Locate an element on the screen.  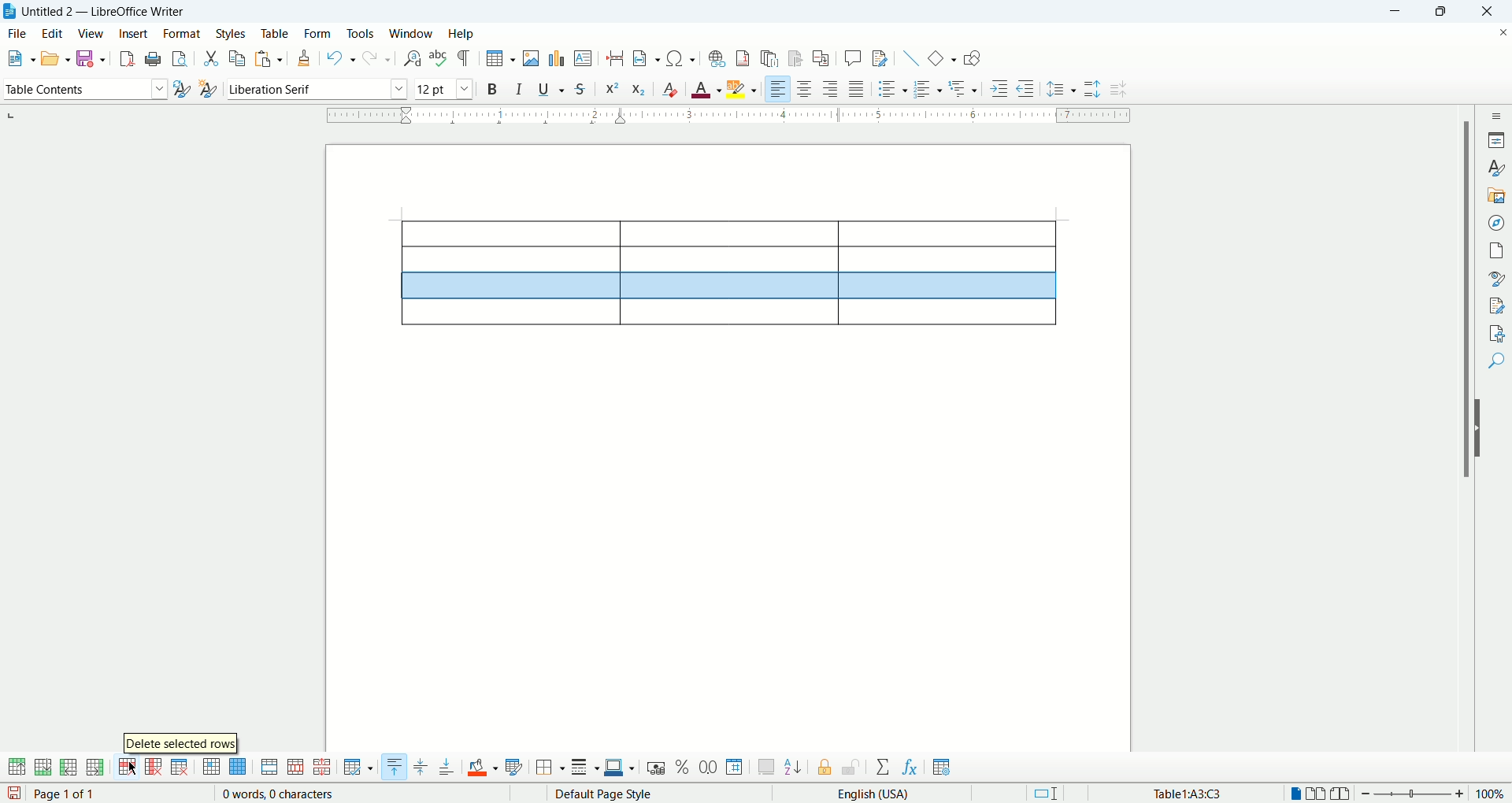
delete column is located at coordinates (154, 767).